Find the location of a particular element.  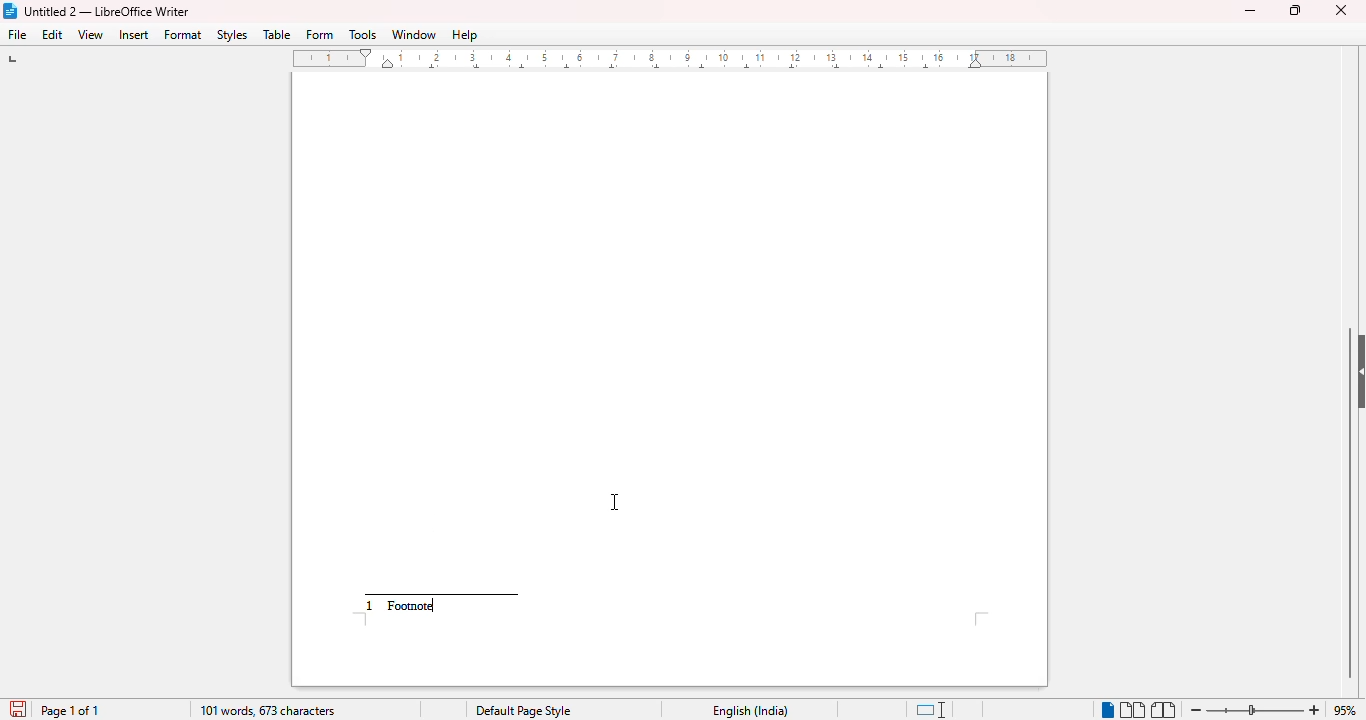

vertical scroll bar is located at coordinates (1352, 500).